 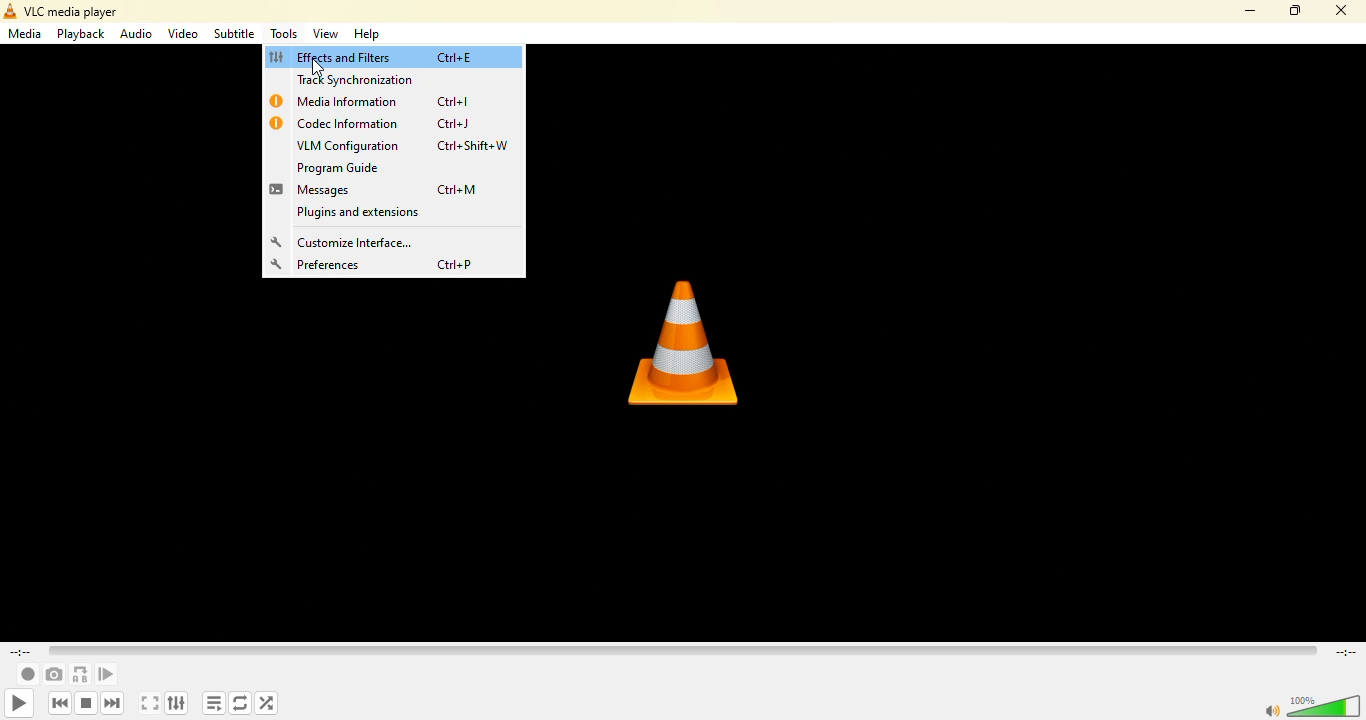 I want to click on previous media in playlist, so click(x=59, y=703).